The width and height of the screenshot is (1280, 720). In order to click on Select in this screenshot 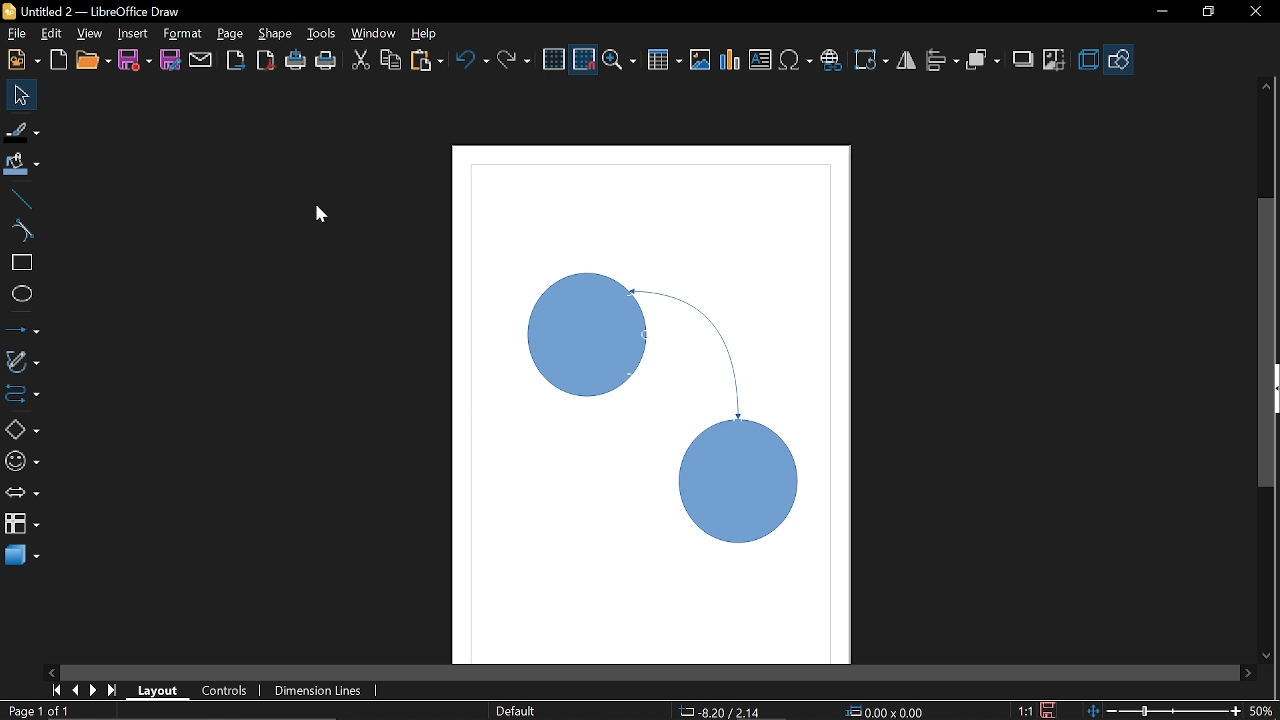, I will do `click(22, 95)`.